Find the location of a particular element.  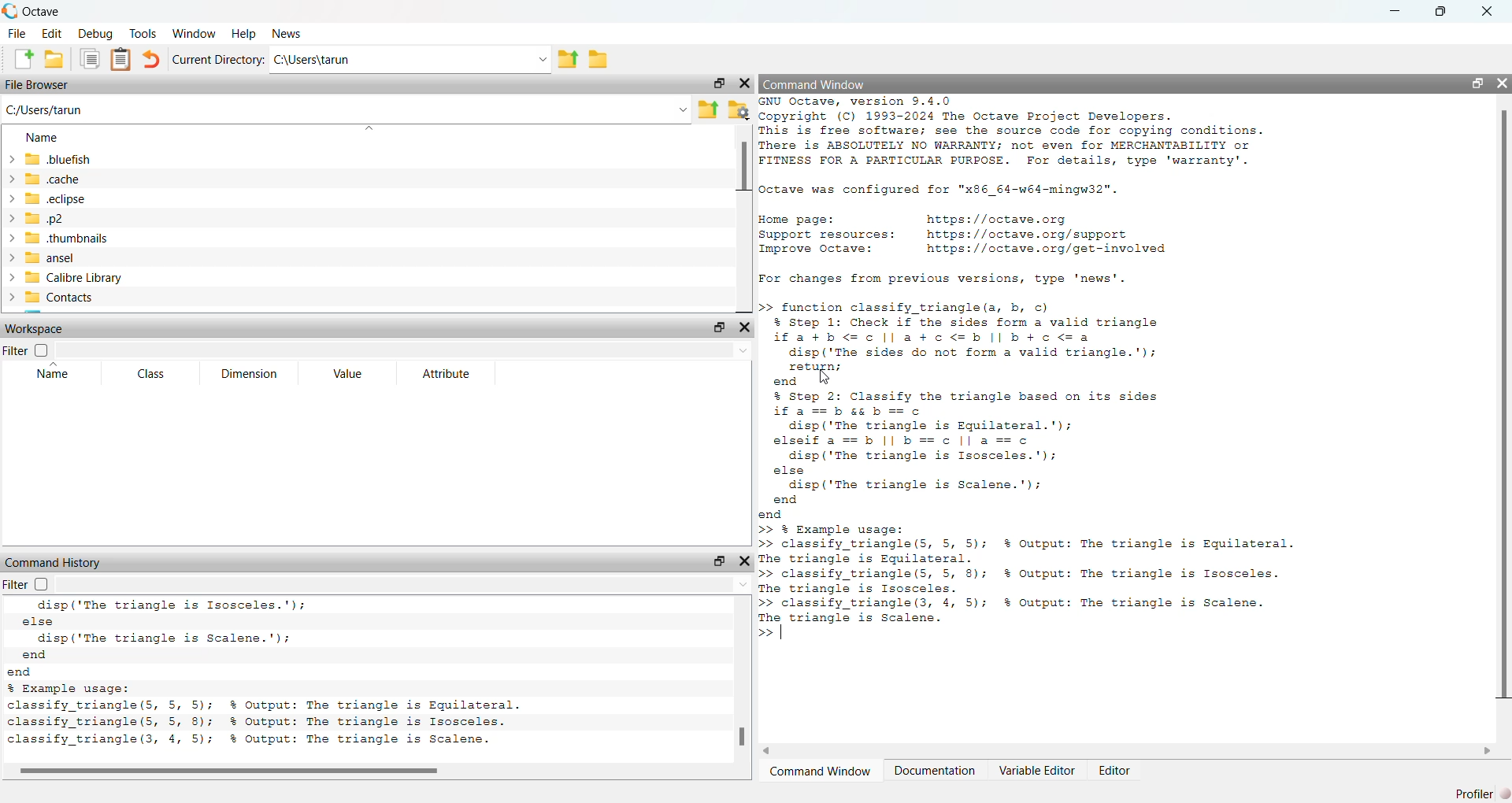

class is located at coordinates (151, 374).